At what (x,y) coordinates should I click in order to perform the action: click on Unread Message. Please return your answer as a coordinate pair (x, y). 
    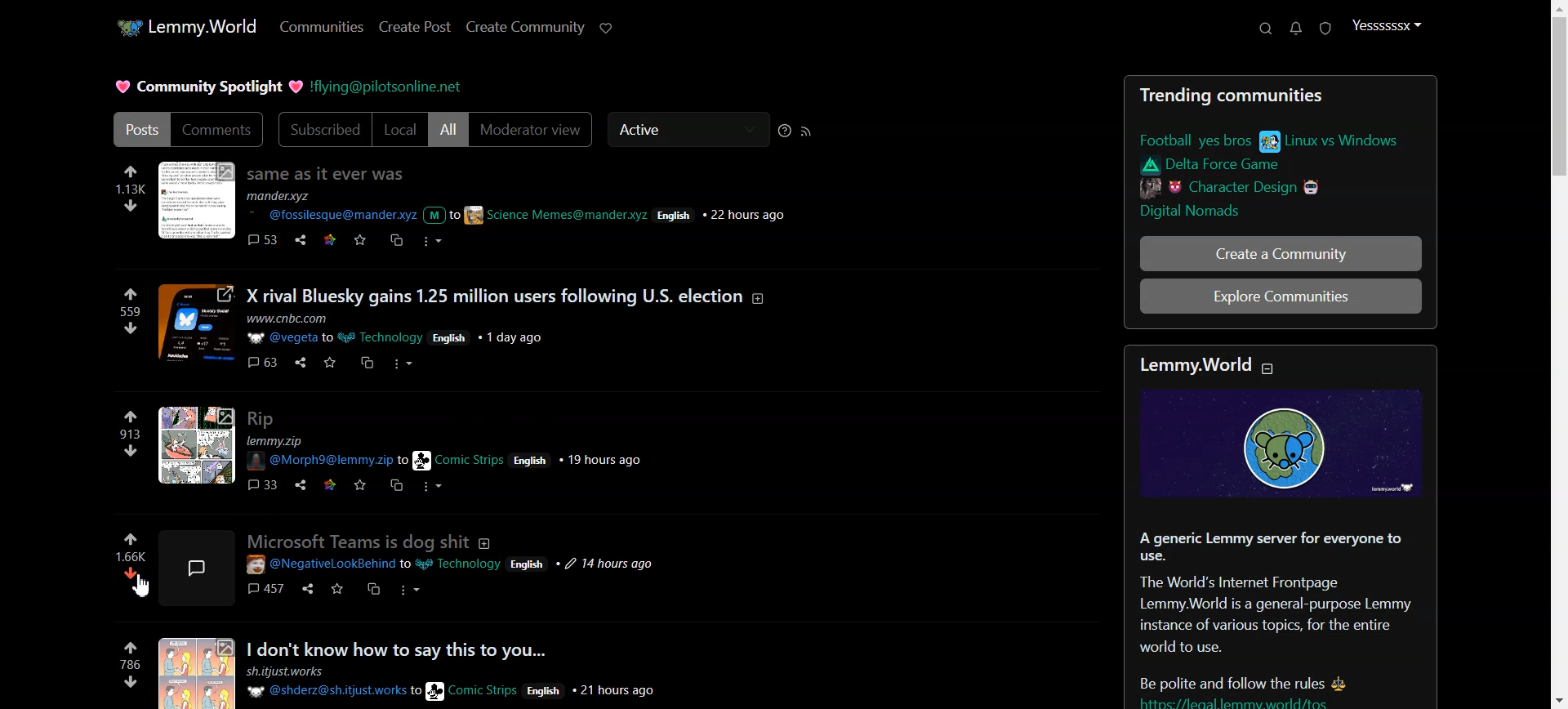
    Looking at the image, I should click on (1295, 29).